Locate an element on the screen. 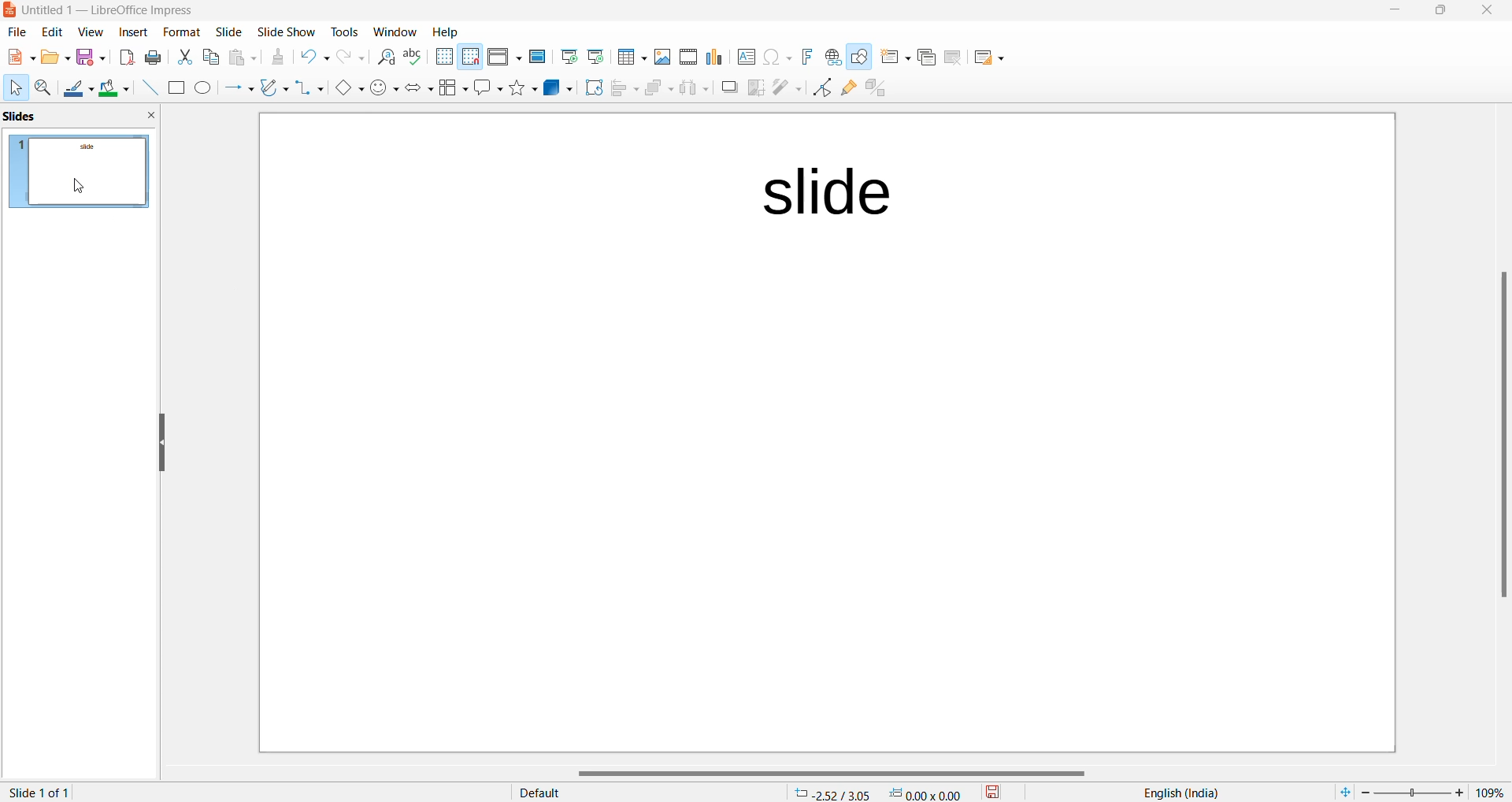 Image resolution: width=1512 pixels, height=802 pixels. insert charts  is located at coordinates (716, 57).